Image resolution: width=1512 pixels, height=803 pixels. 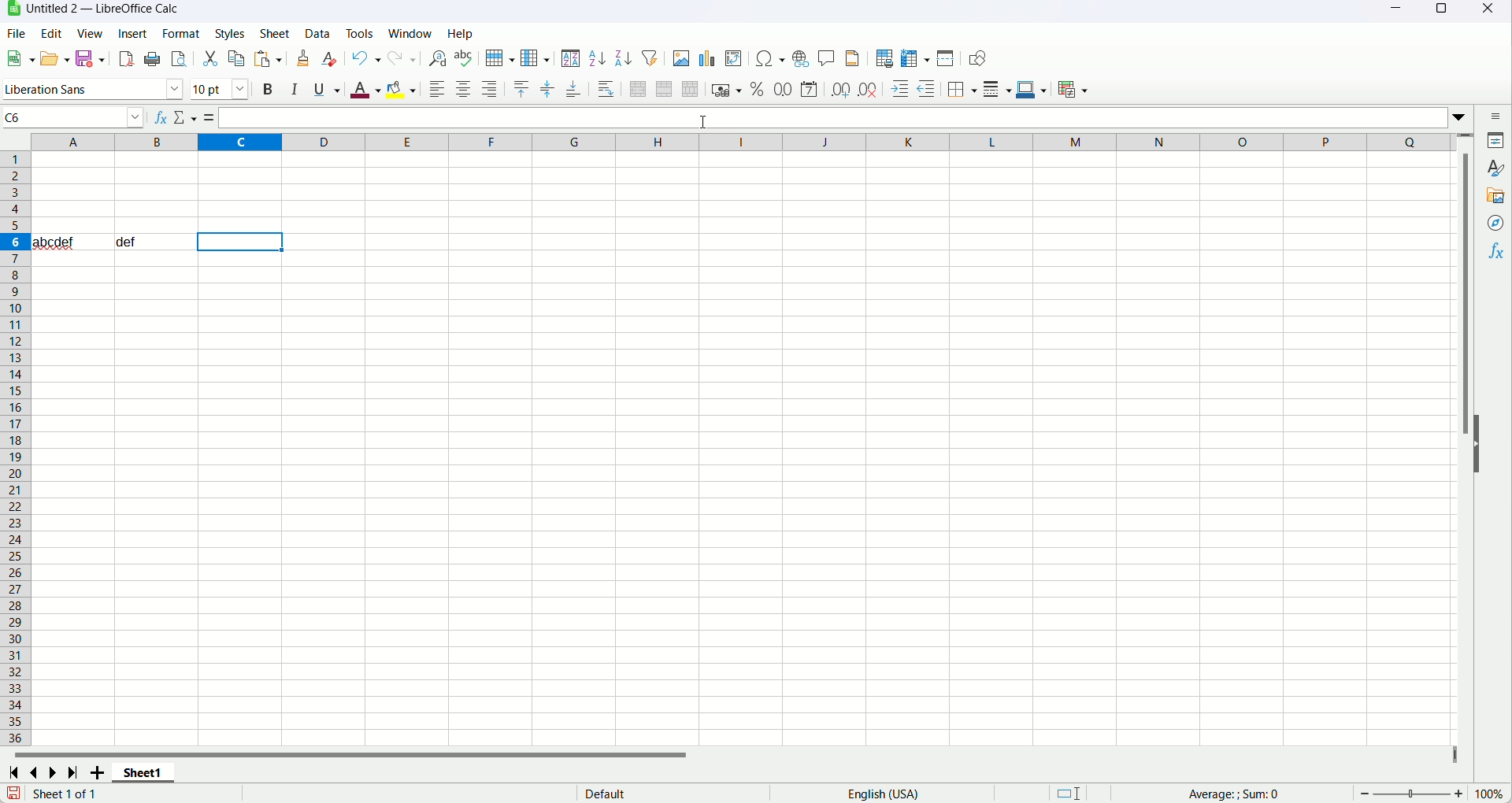 I want to click on tools, so click(x=361, y=33).